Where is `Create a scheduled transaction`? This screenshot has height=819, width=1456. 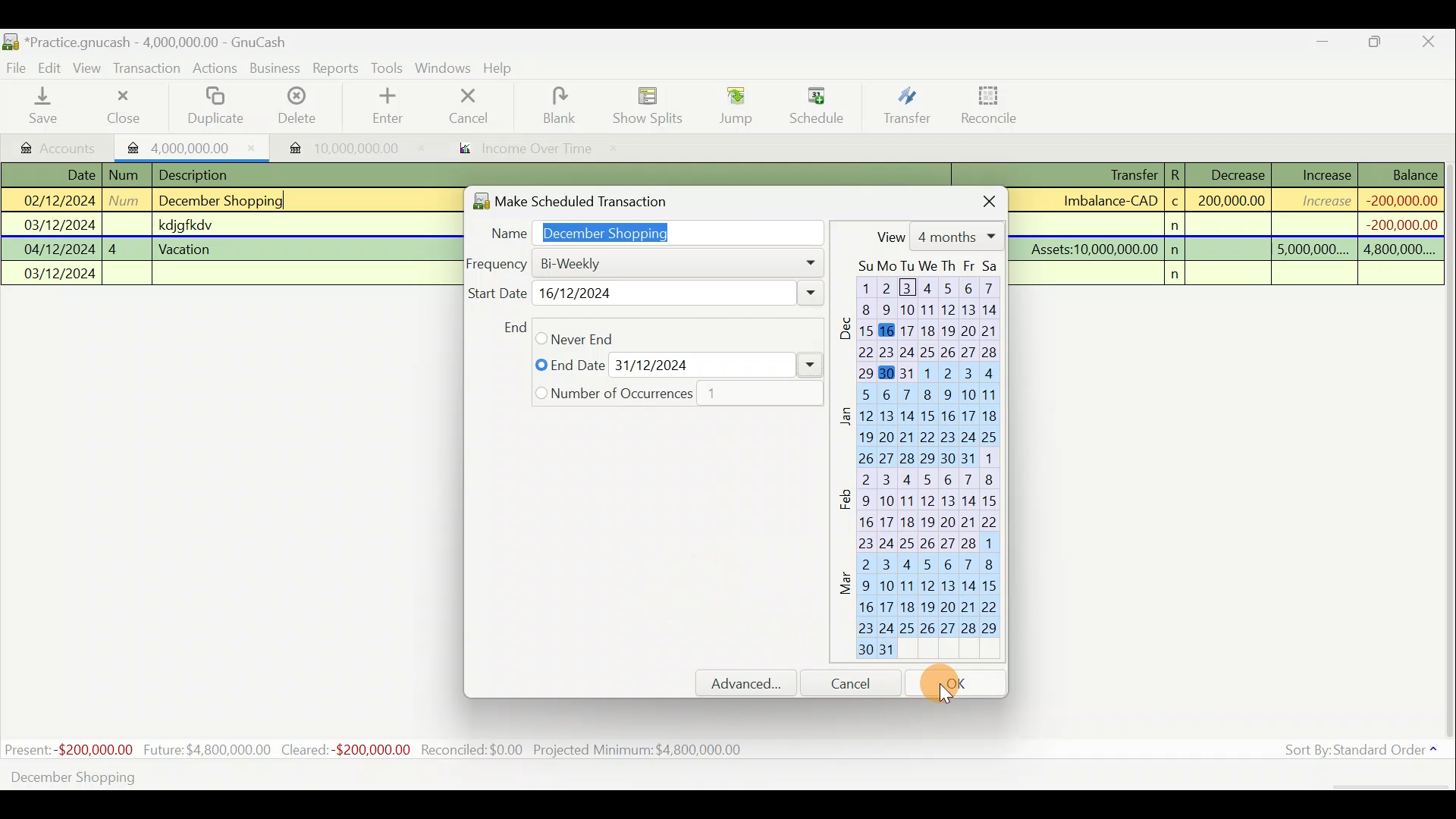
Create a scheduled transaction is located at coordinates (461, 776).